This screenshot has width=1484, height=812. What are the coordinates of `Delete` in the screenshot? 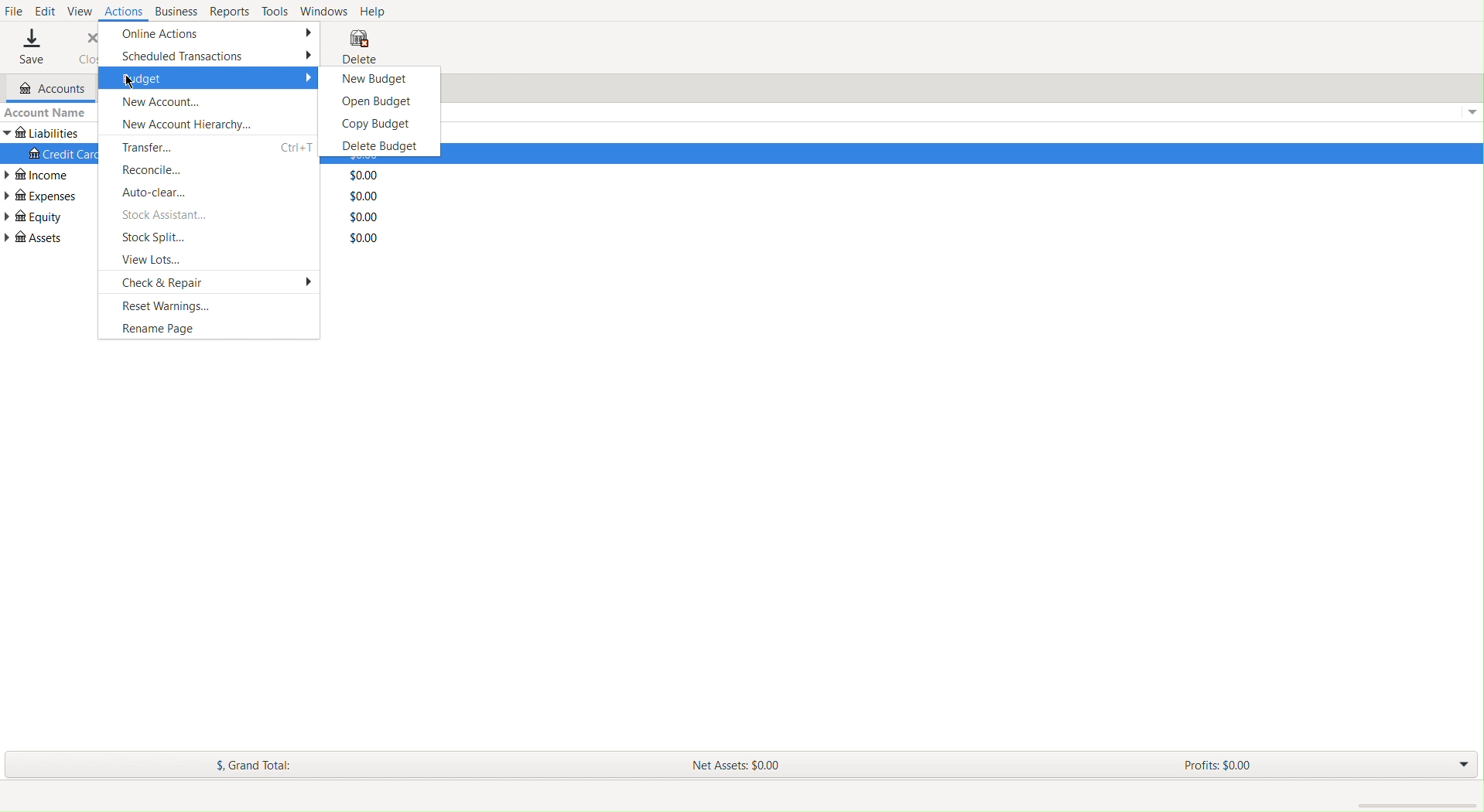 It's located at (358, 45).